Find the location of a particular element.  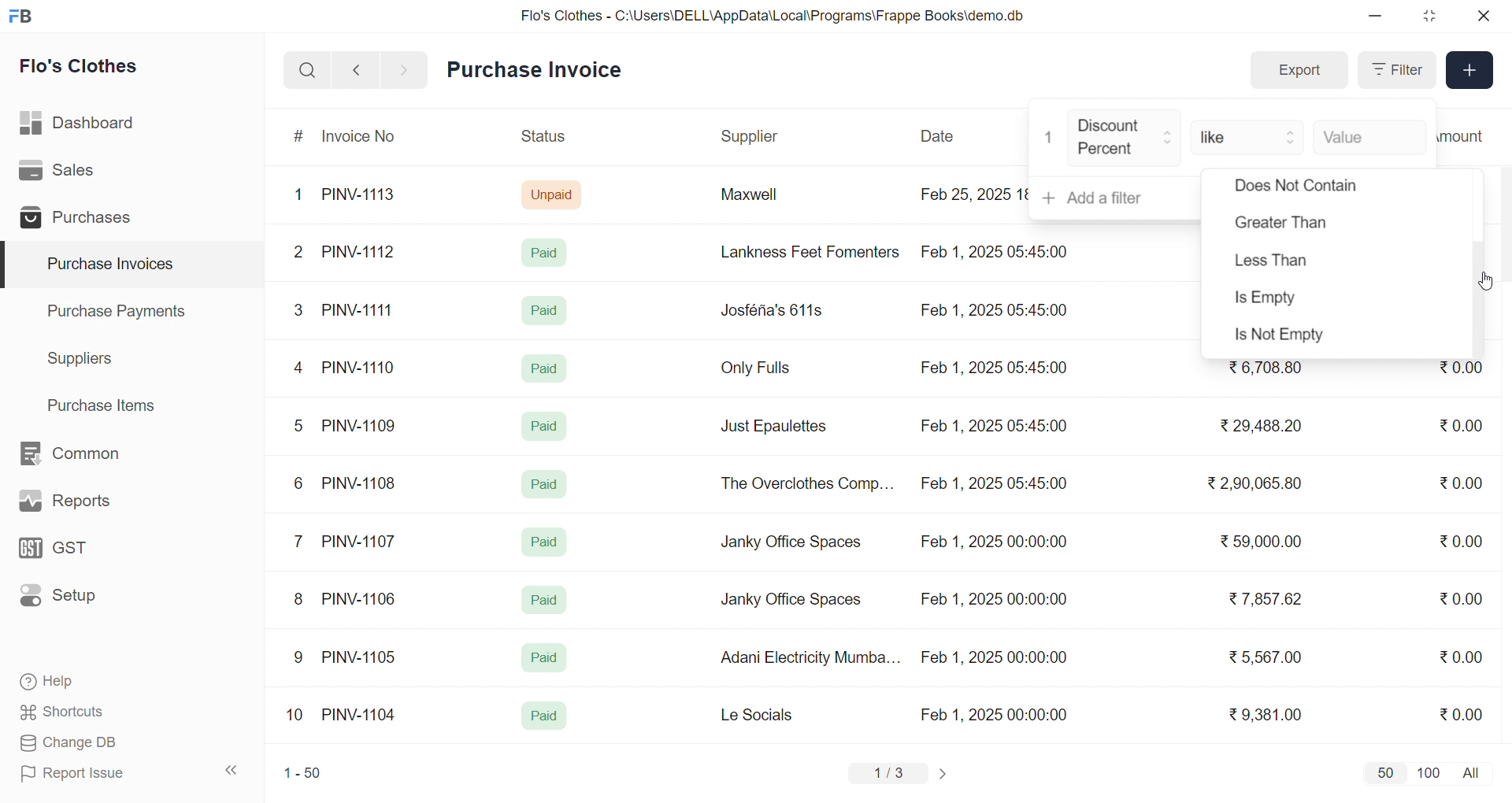

Paid is located at coordinates (545, 310).